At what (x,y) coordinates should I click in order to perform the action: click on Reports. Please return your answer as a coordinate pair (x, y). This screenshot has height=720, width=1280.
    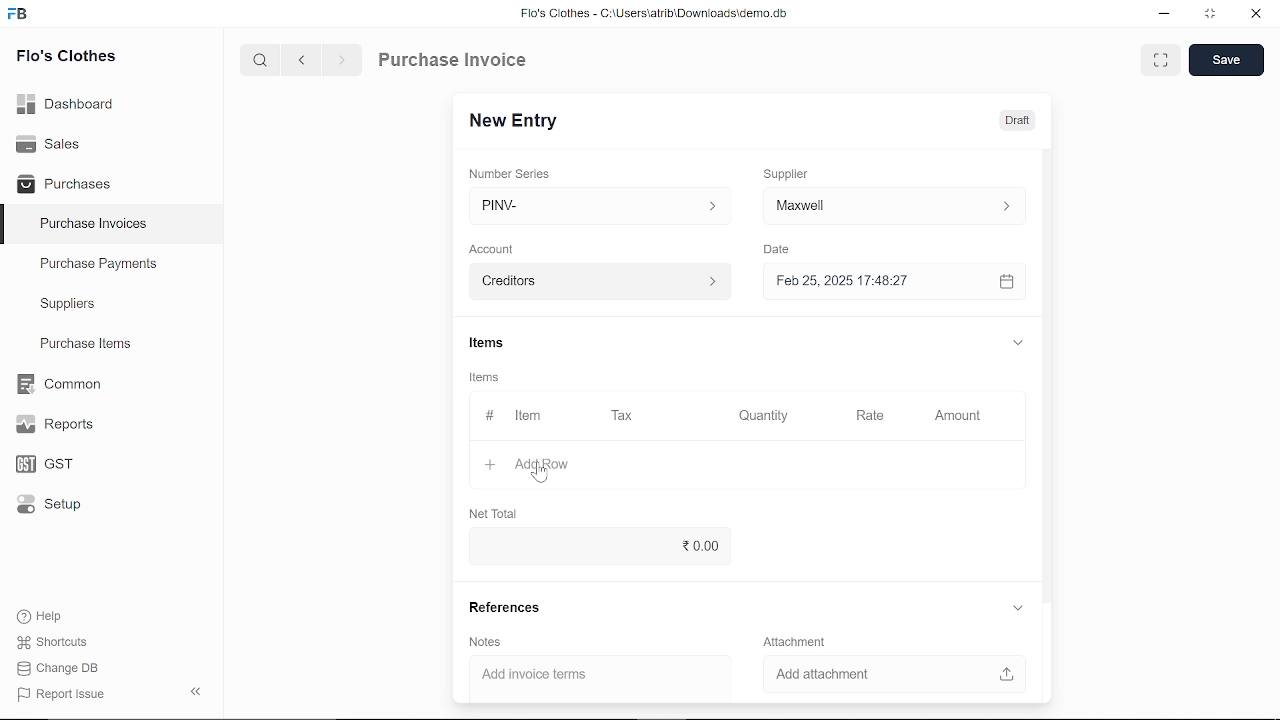
    Looking at the image, I should click on (54, 425).